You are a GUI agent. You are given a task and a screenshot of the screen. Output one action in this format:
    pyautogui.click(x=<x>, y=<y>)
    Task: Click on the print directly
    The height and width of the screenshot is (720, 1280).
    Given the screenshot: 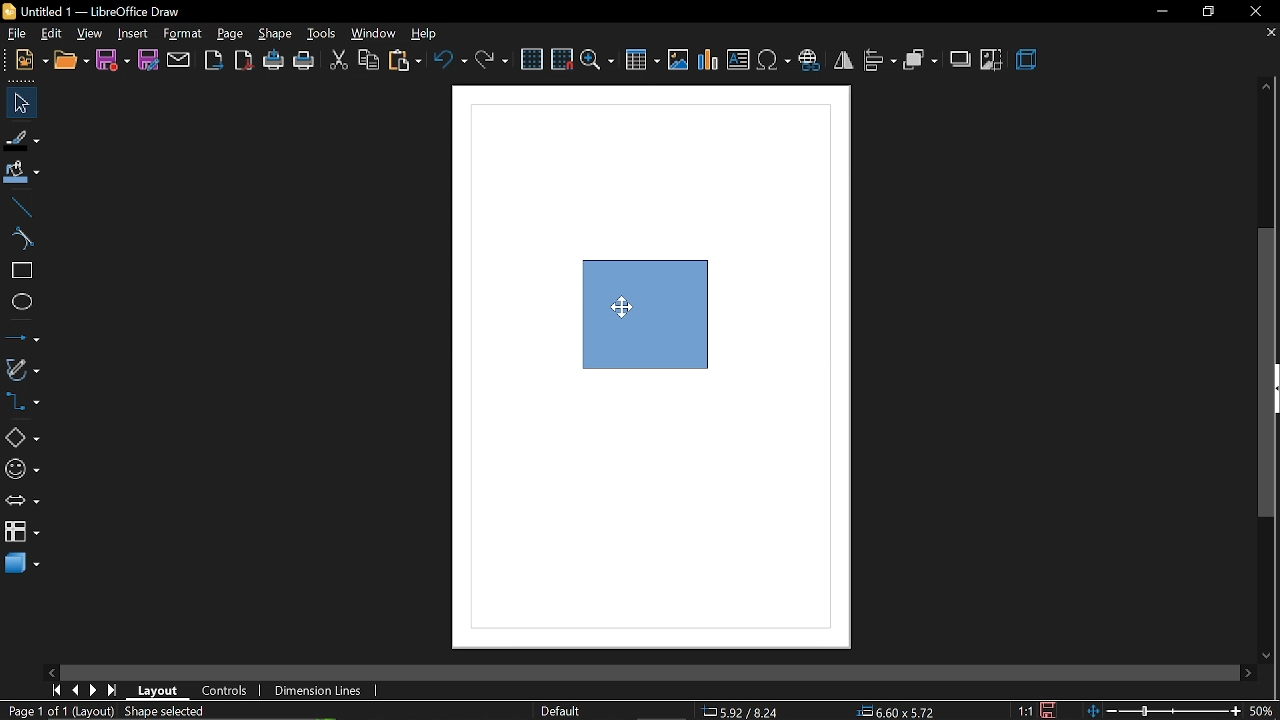 What is the action you would take?
    pyautogui.click(x=273, y=61)
    